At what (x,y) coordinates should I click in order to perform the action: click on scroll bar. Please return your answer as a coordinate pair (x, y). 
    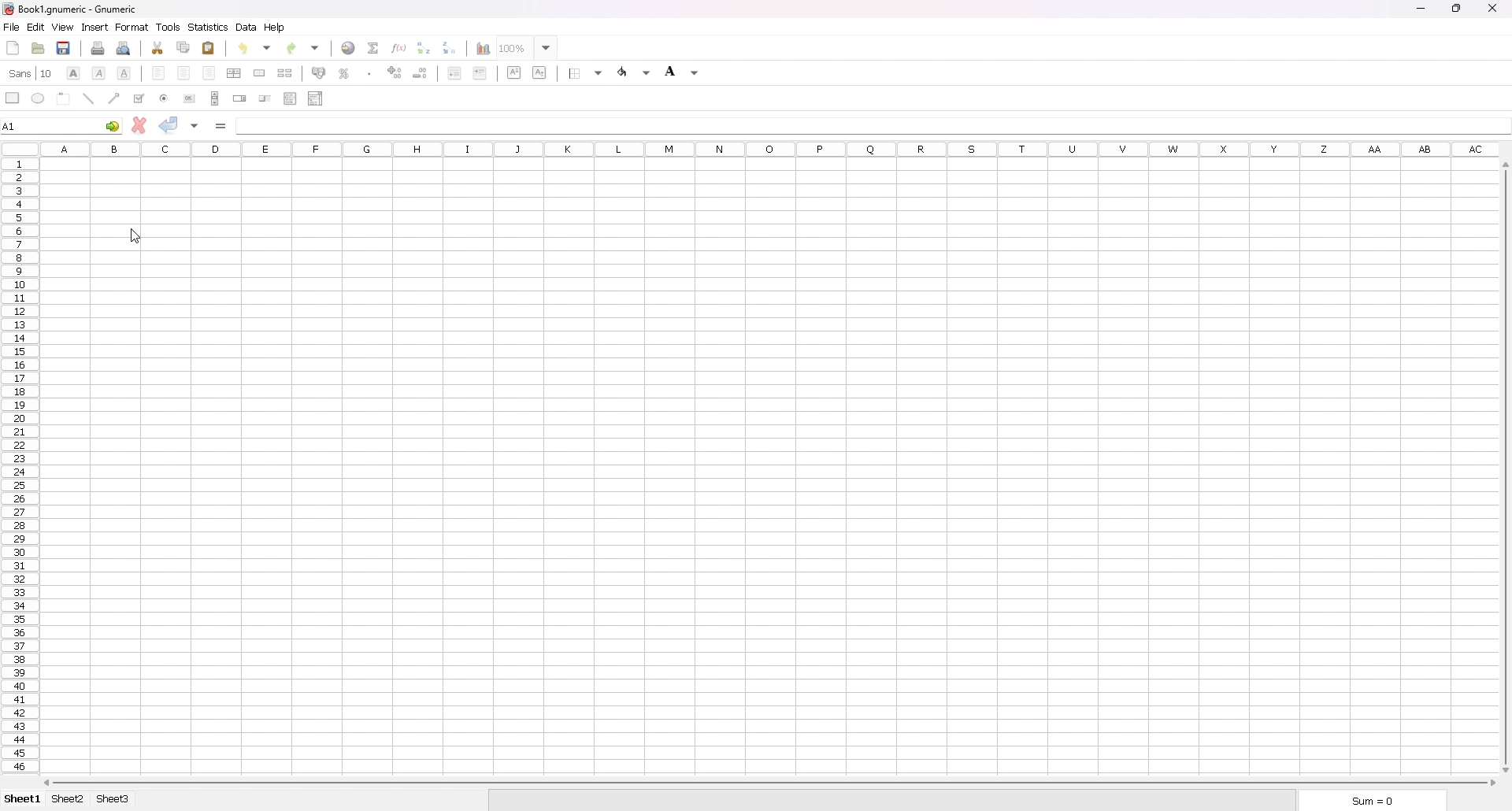
    Looking at the image, I should click on (1504, 468).